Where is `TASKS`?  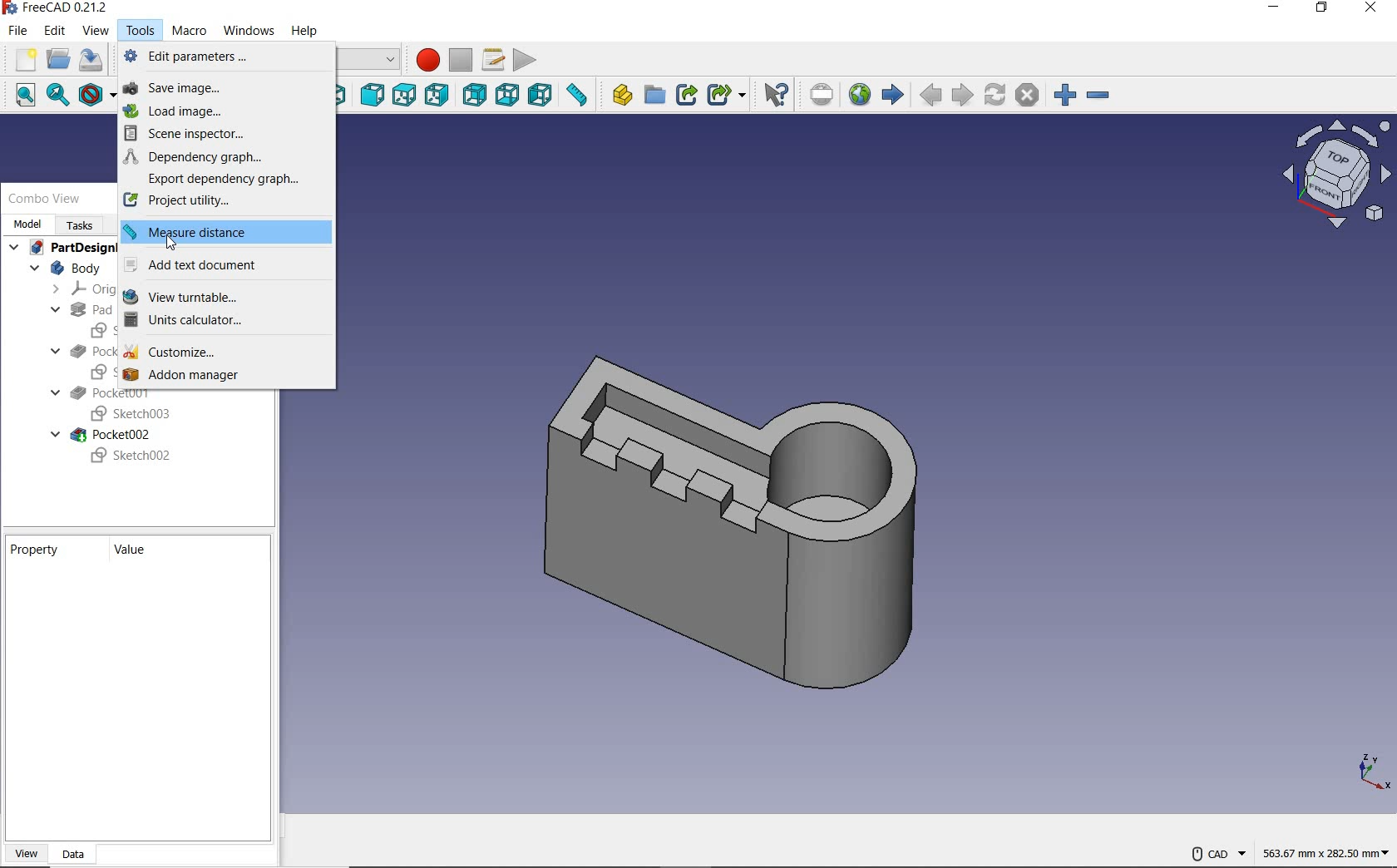
TASKS is located at coordinates (82, 224).